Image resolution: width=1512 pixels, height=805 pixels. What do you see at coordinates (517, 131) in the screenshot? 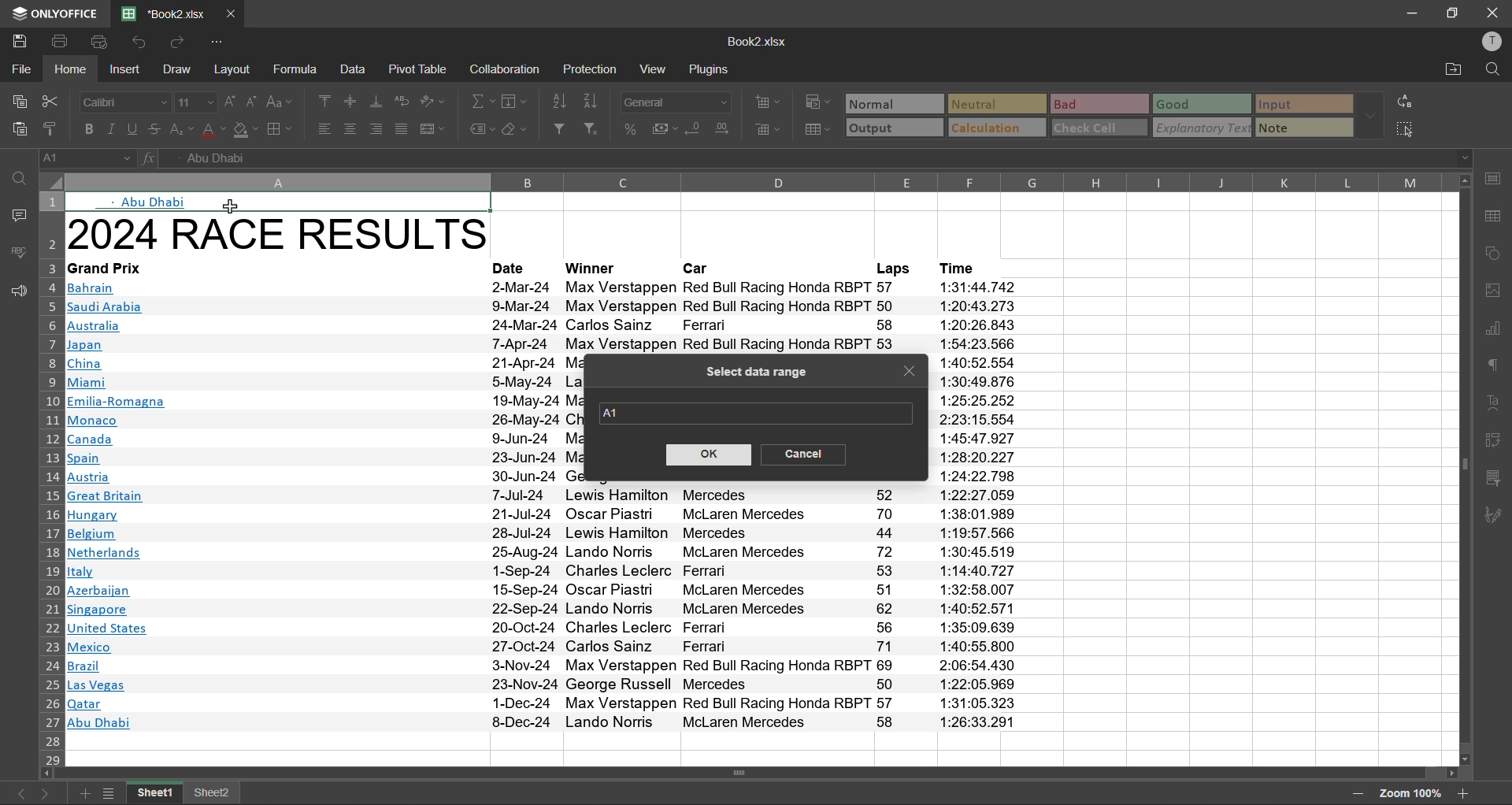
I see `clear` at bounding box center [517, 131].